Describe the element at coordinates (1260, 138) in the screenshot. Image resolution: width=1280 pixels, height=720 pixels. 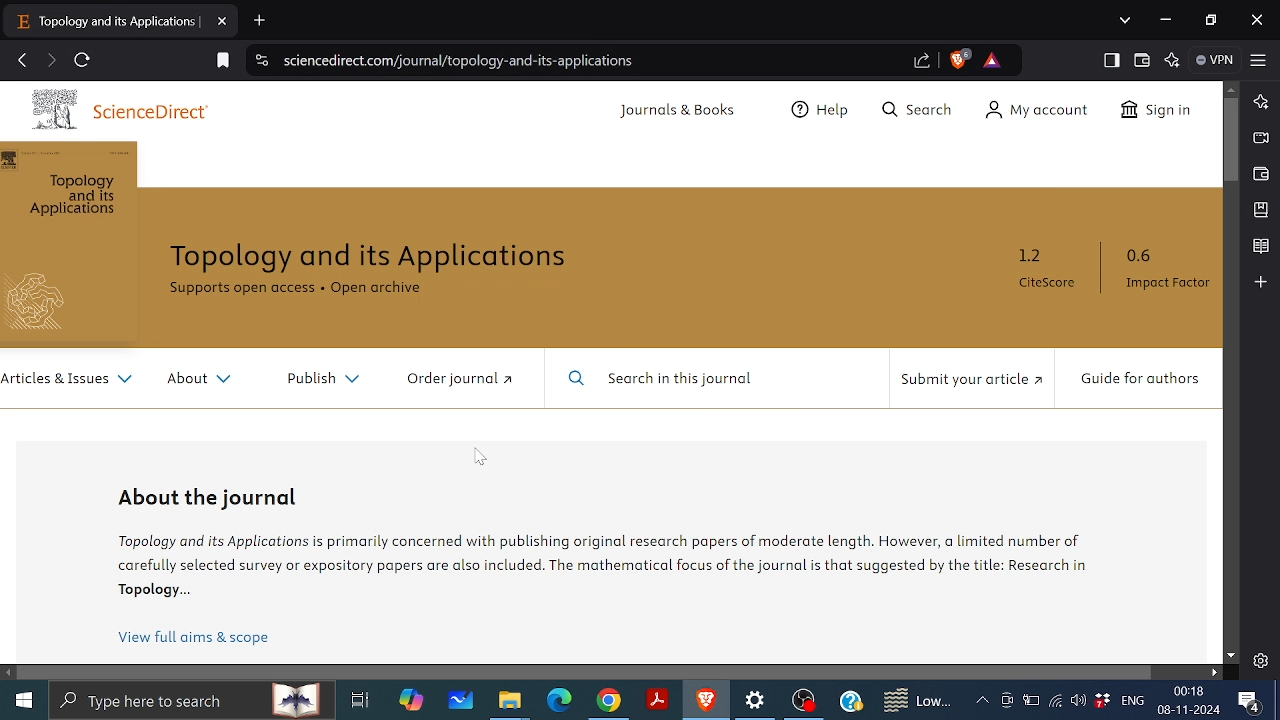
I see `Brave talk` at that location.